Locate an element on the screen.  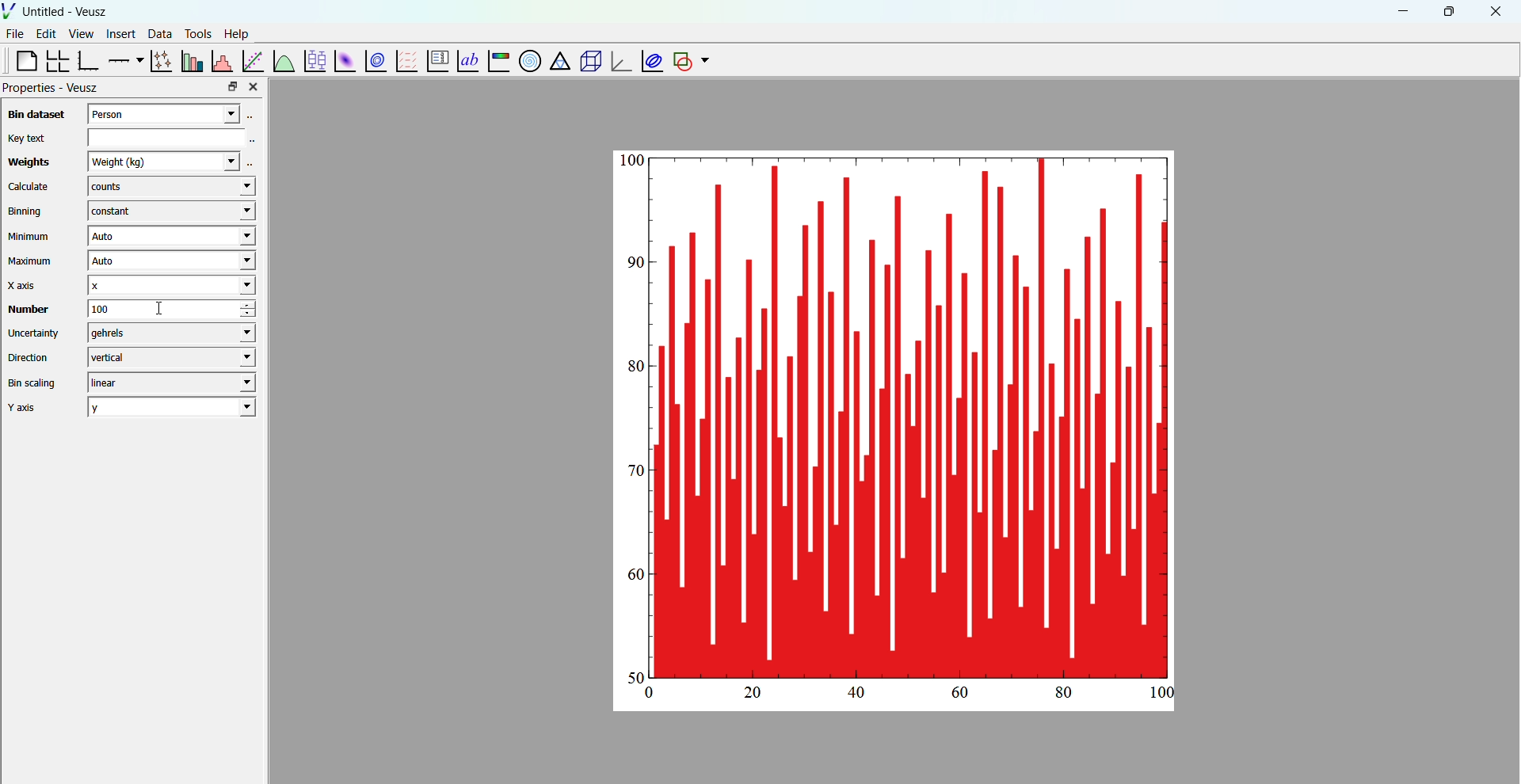
plot points with lines and errorbars is located at coordinates (159, 61).